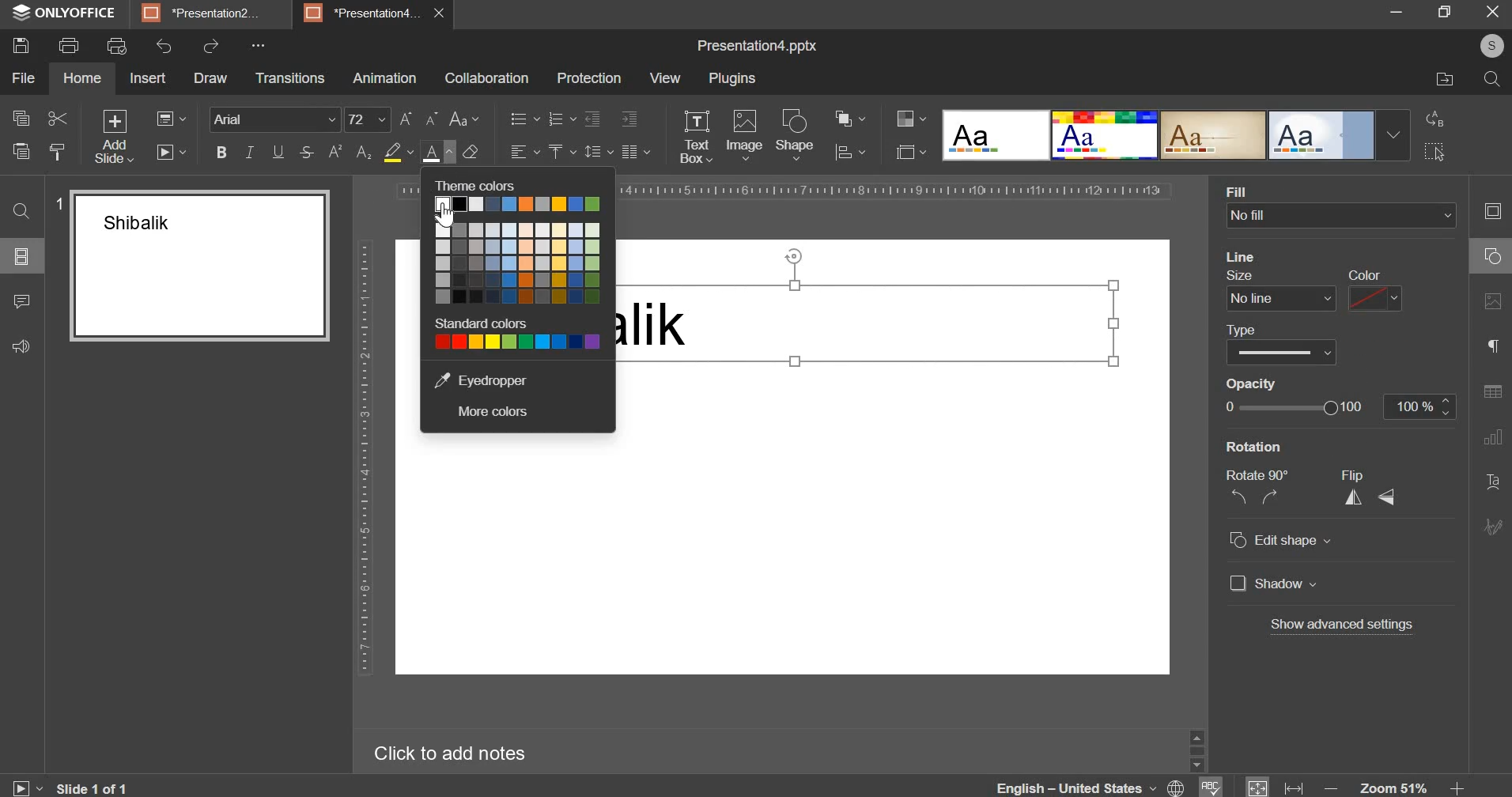  What do you see at coordinates (453, 171) in the screenshot?
I see `mouse pointer` at bounding box center [453, 171].